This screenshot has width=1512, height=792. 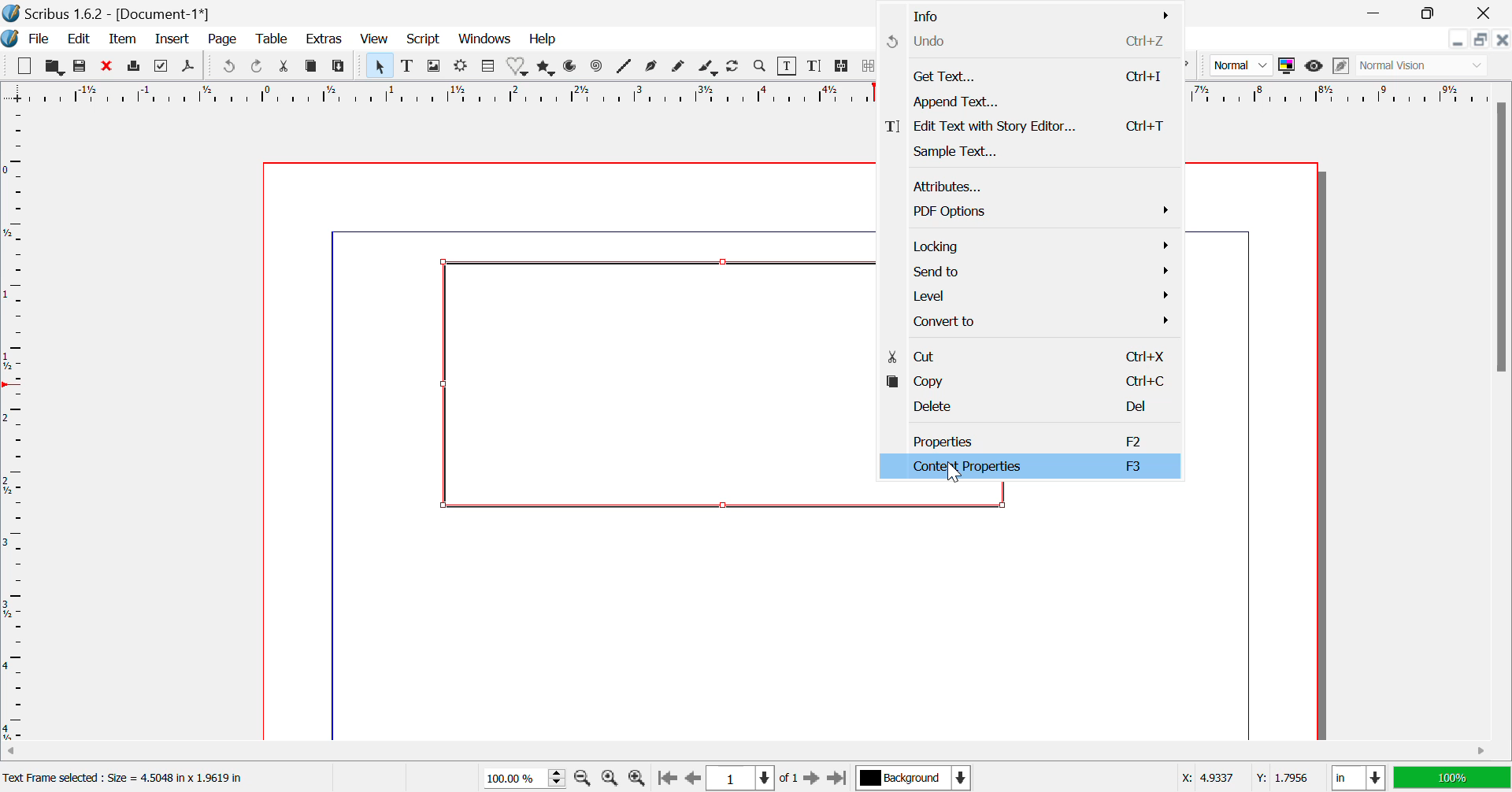 What do you see at coordinates (1028, 215) in the screenshot?
I see `PDF Options` at bounding box center [1028, 215].